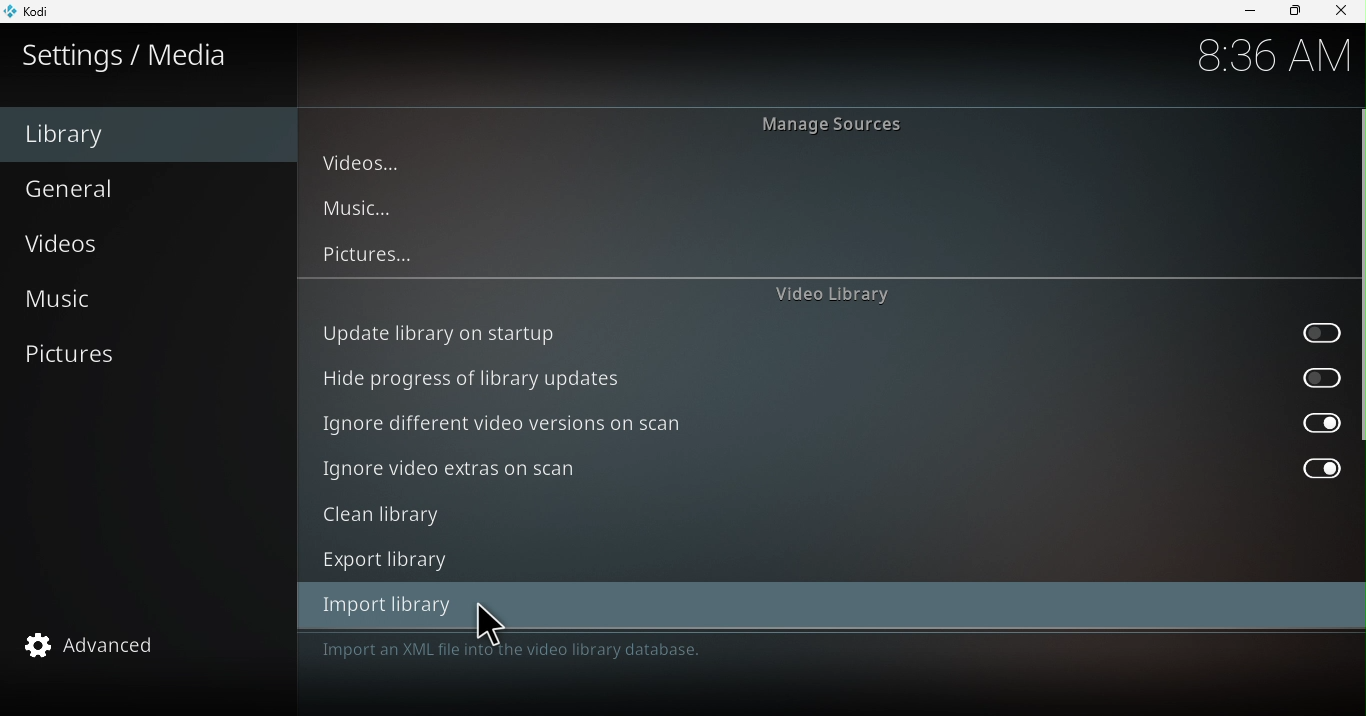 The width and height of the screenshot is (1366, 716). What do you see at coordinates (821, 559) in the screenshot?
I see `Export` at bounding box center [821, 559].